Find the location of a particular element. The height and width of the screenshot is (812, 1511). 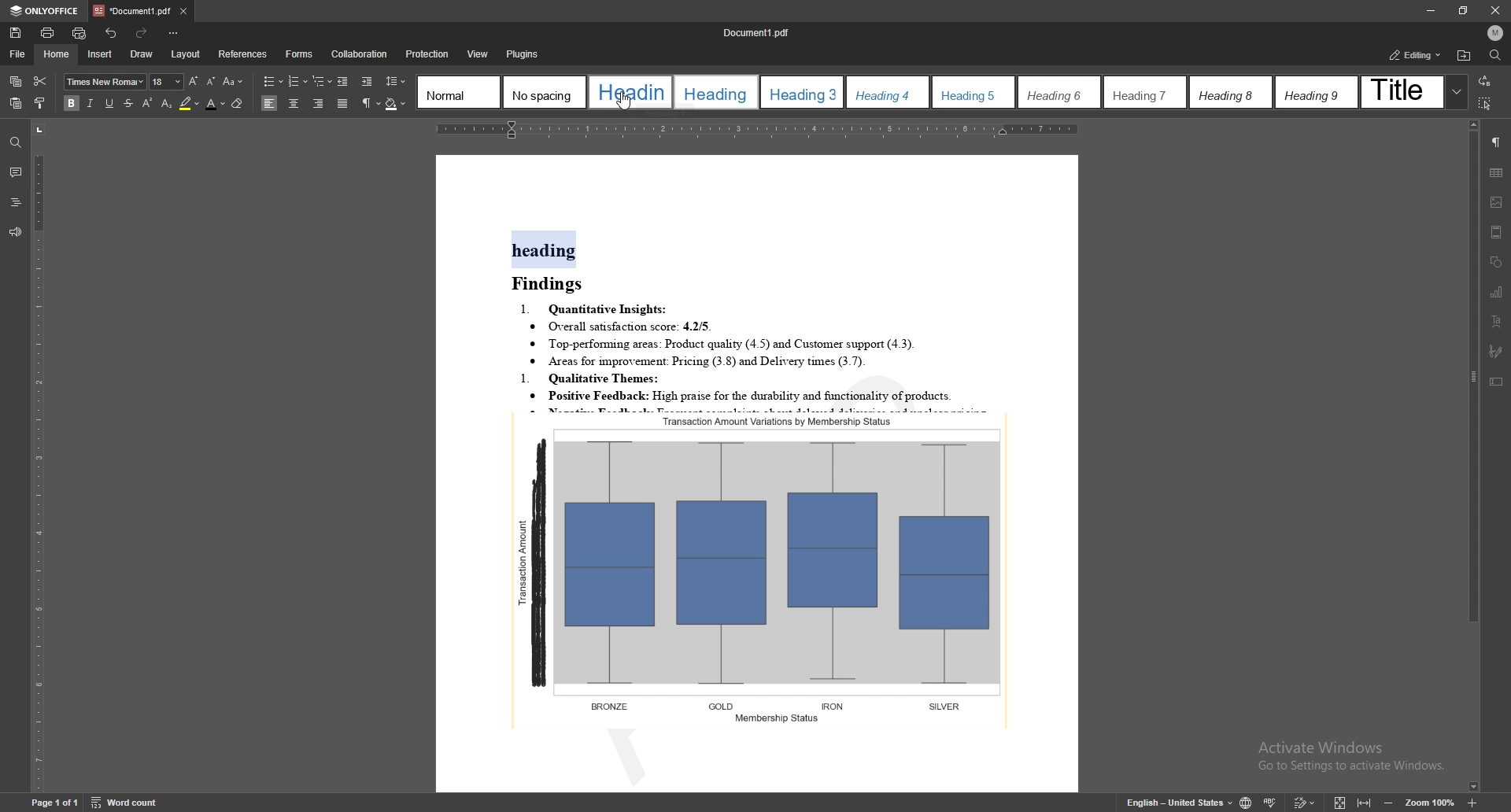

cursor is located at coordinates (622, 101).